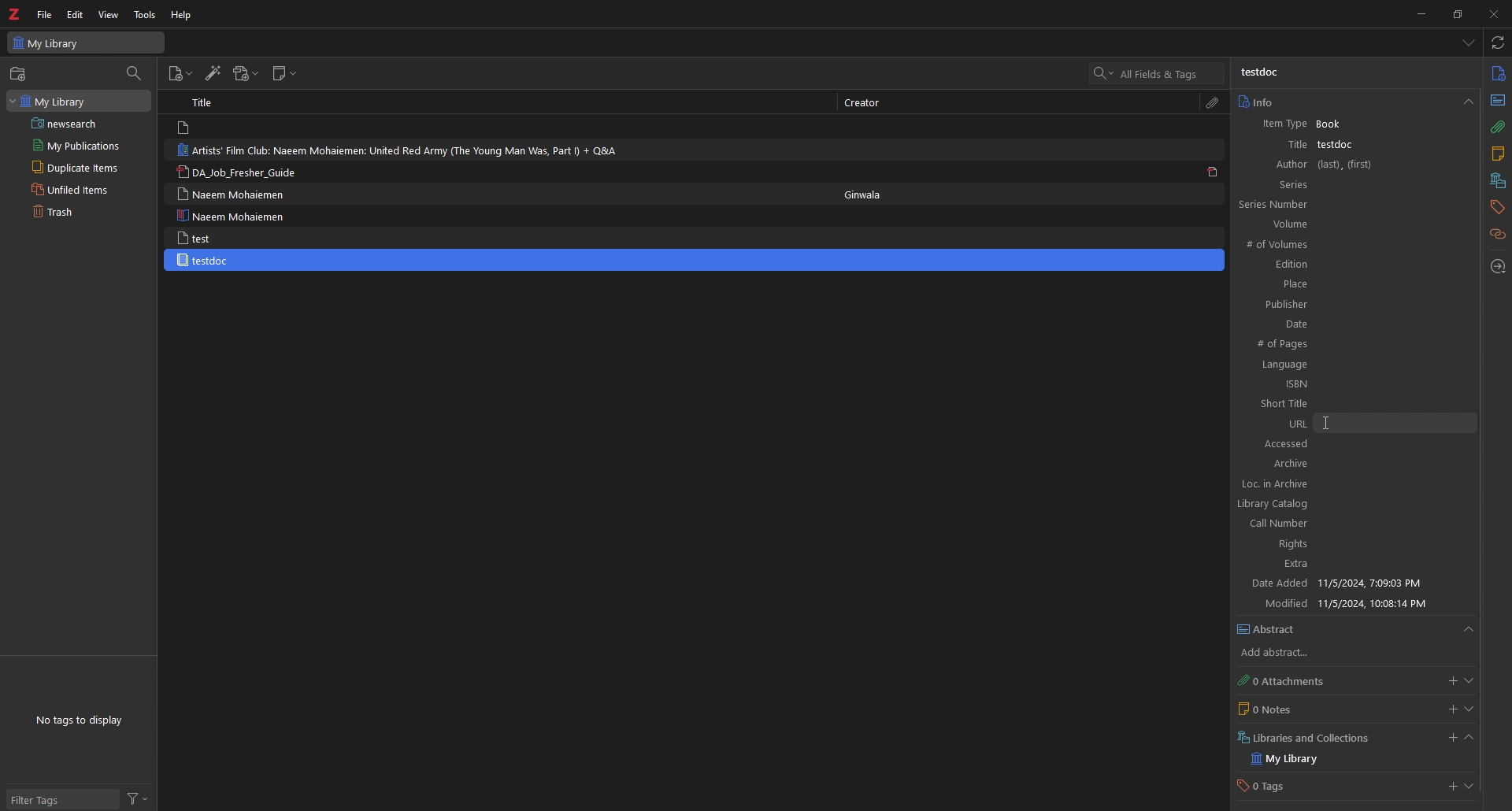  What do you see at coordinates (82, 123) in the screenshot?
I see `saved search` at bounding box center [82, 123].